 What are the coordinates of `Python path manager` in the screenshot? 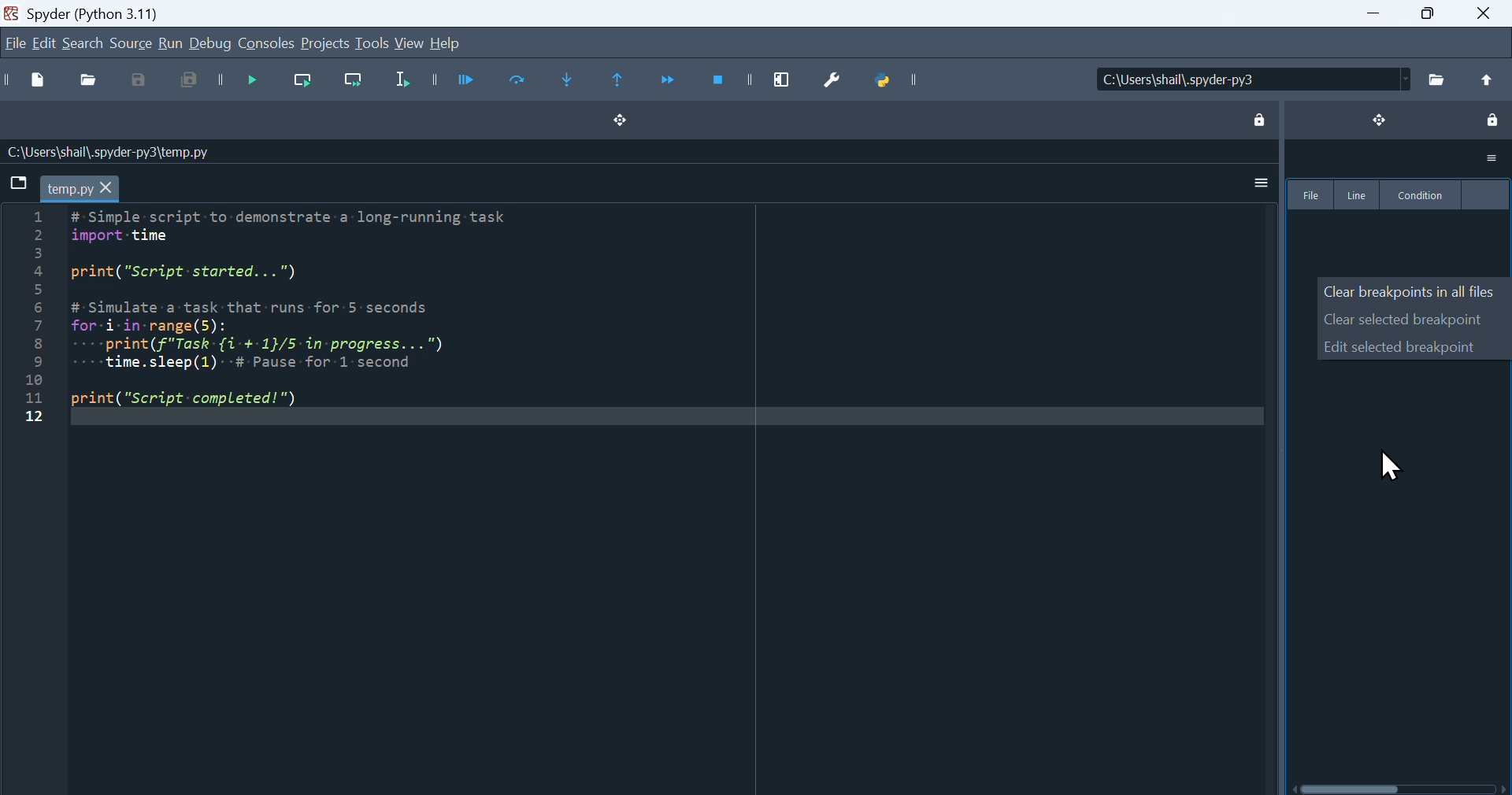 It's located at (893, 85).